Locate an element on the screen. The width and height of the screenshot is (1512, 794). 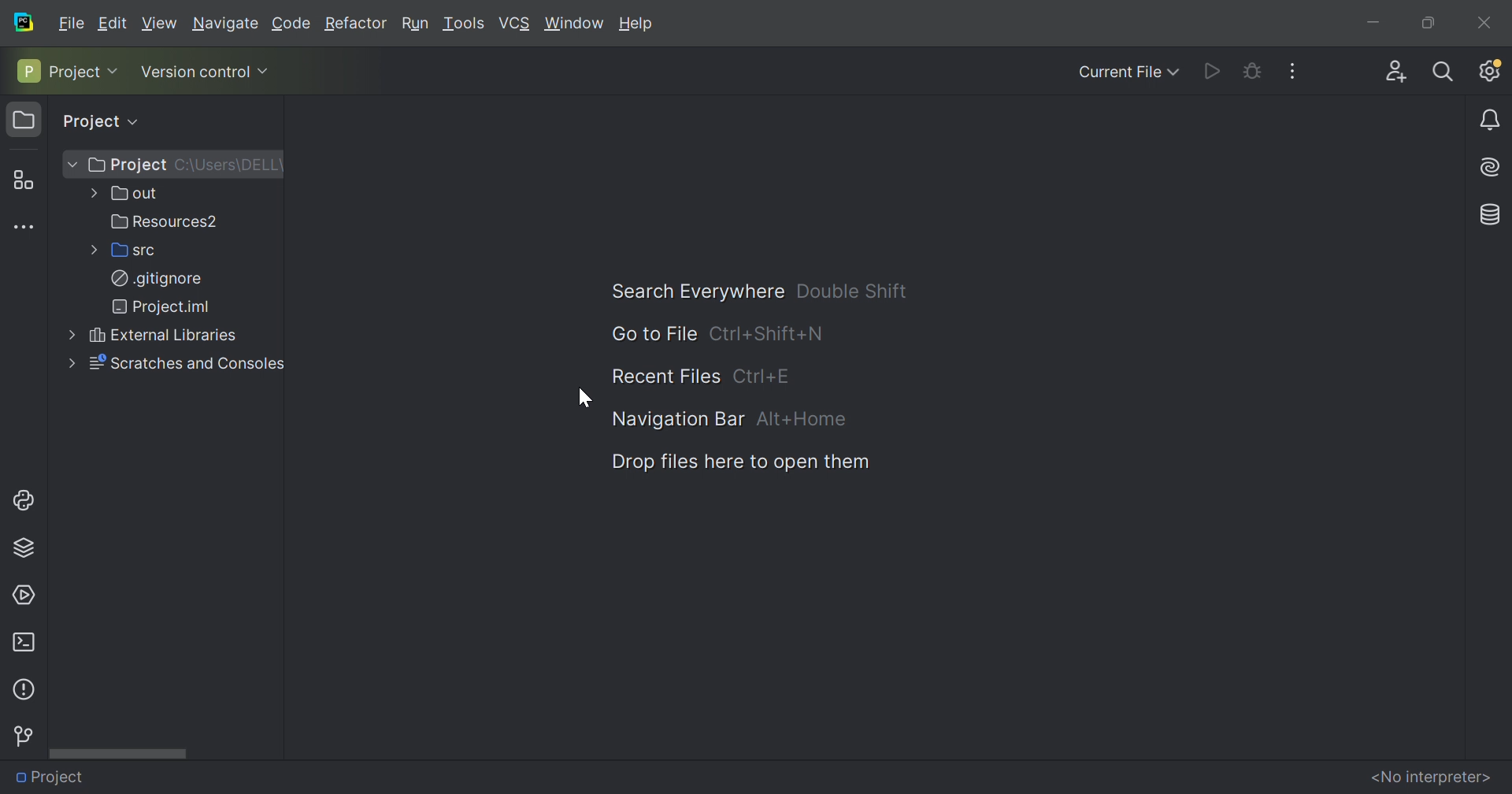
Project.iml is located at coordinates (161, 306).